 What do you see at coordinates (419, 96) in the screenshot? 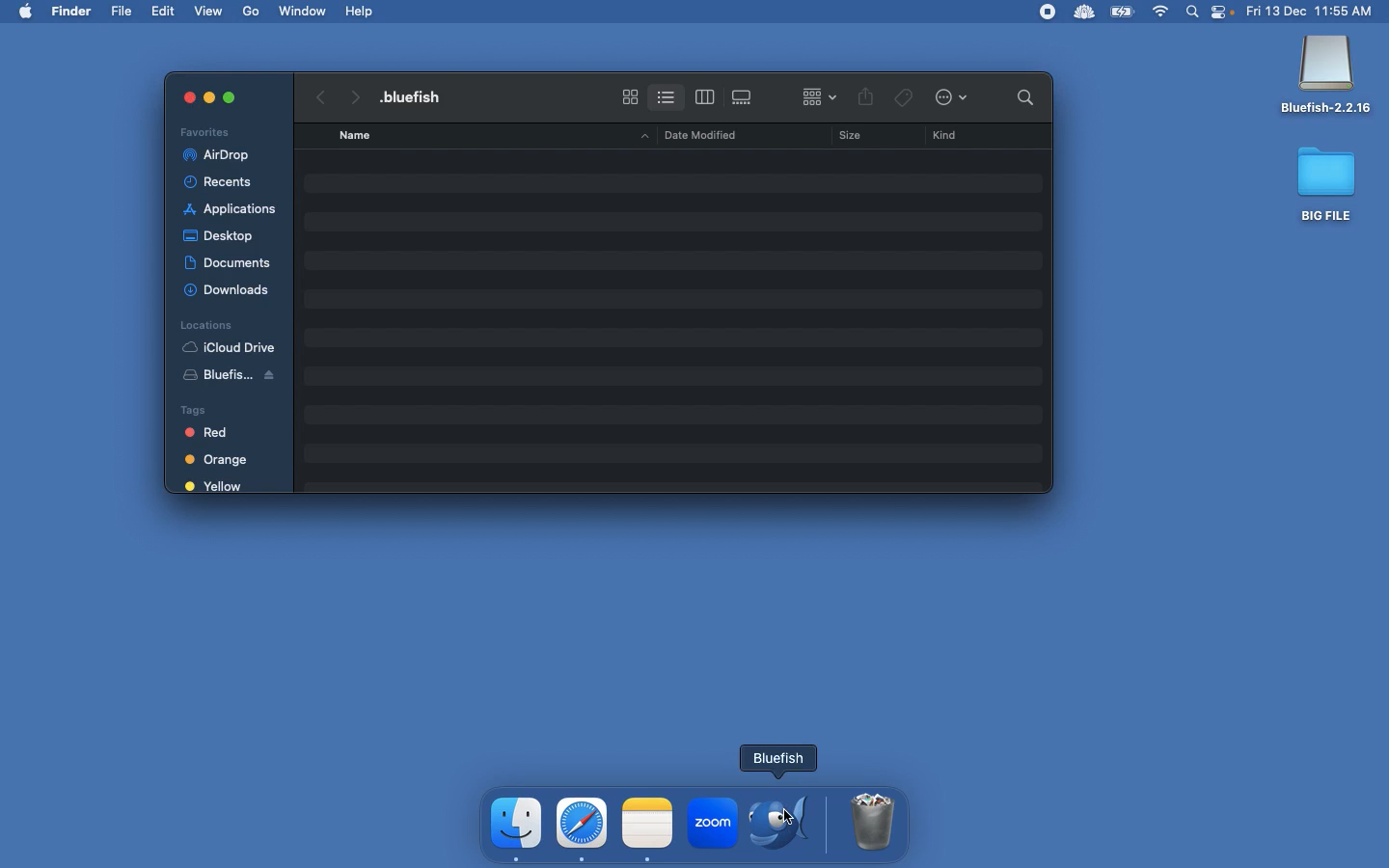
I see `Name` at bounding box center [419, 96].